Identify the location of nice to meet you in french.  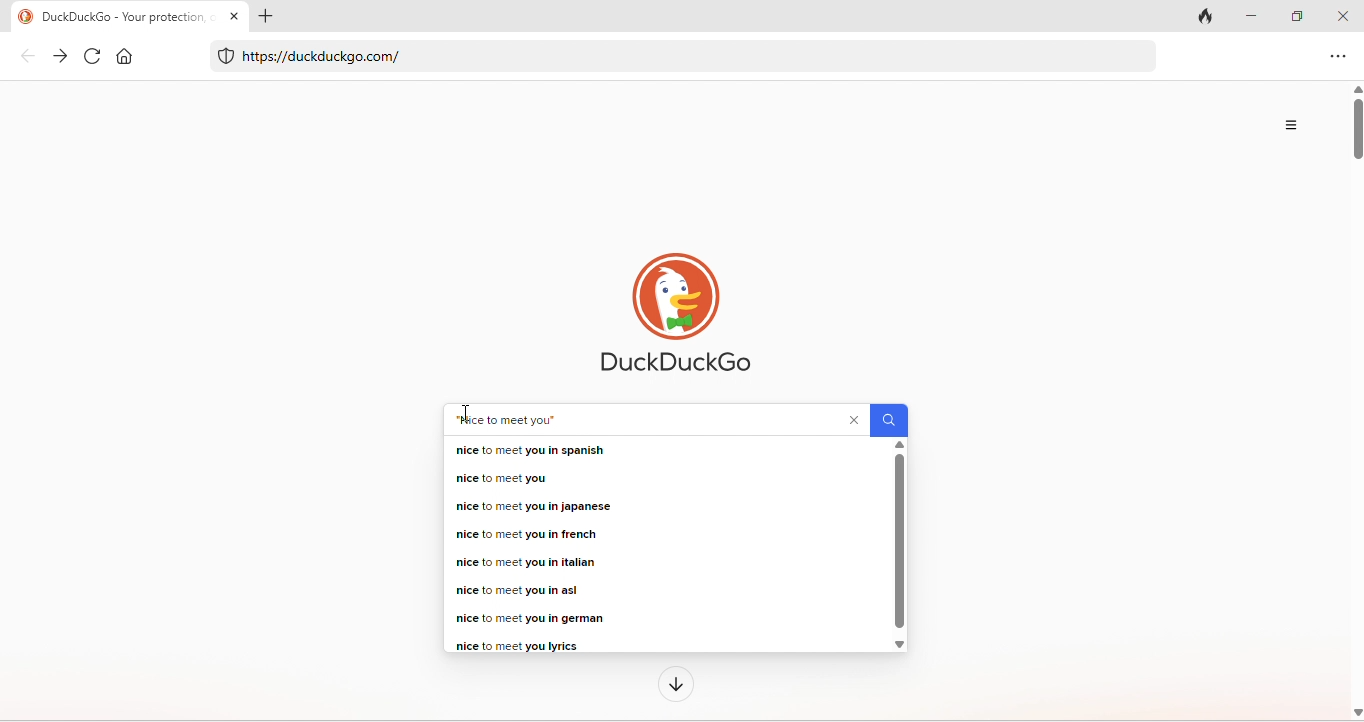
(525, 535).